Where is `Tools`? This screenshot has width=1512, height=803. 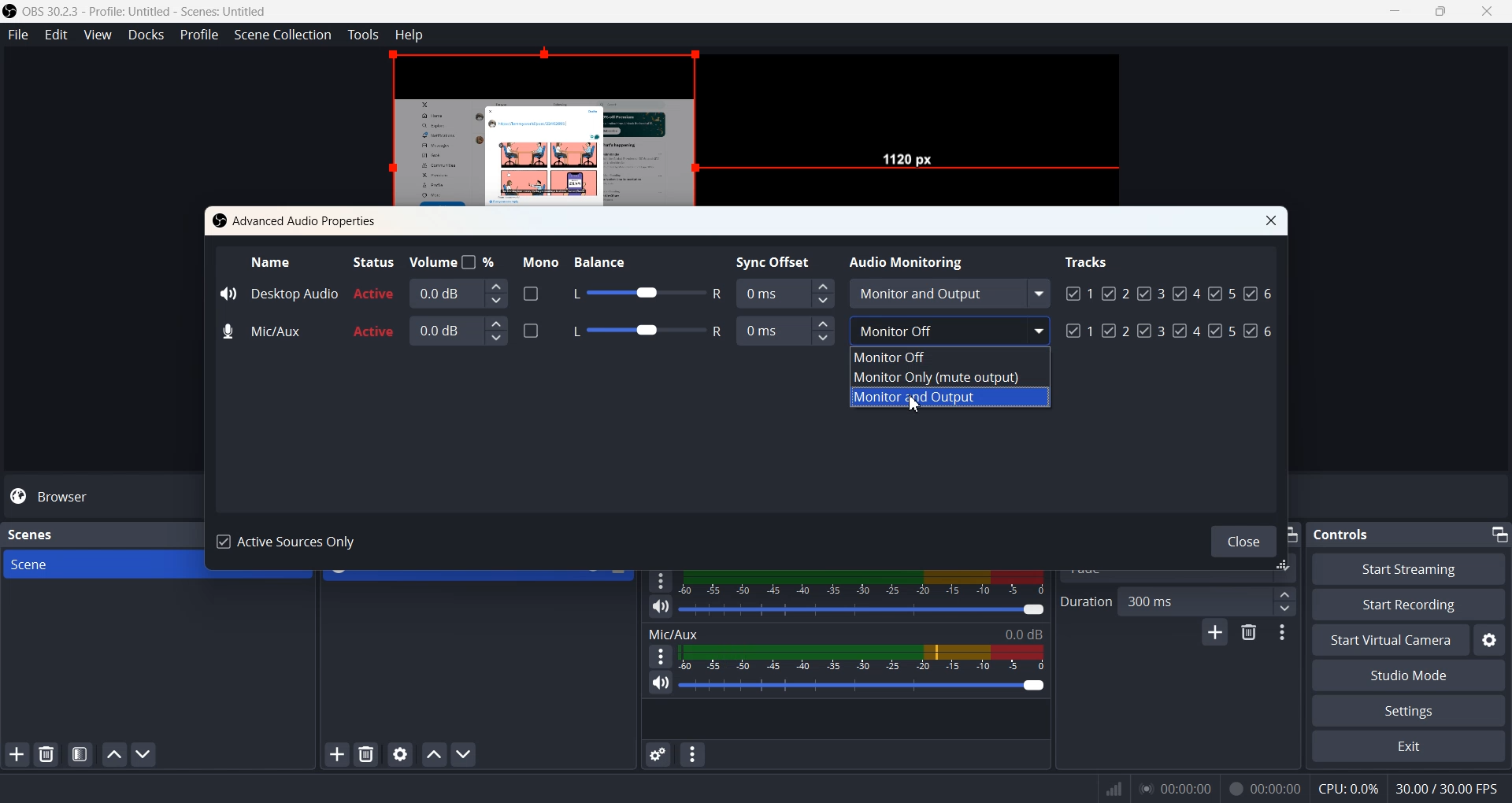
Tools is located at coordinates (364, 35).